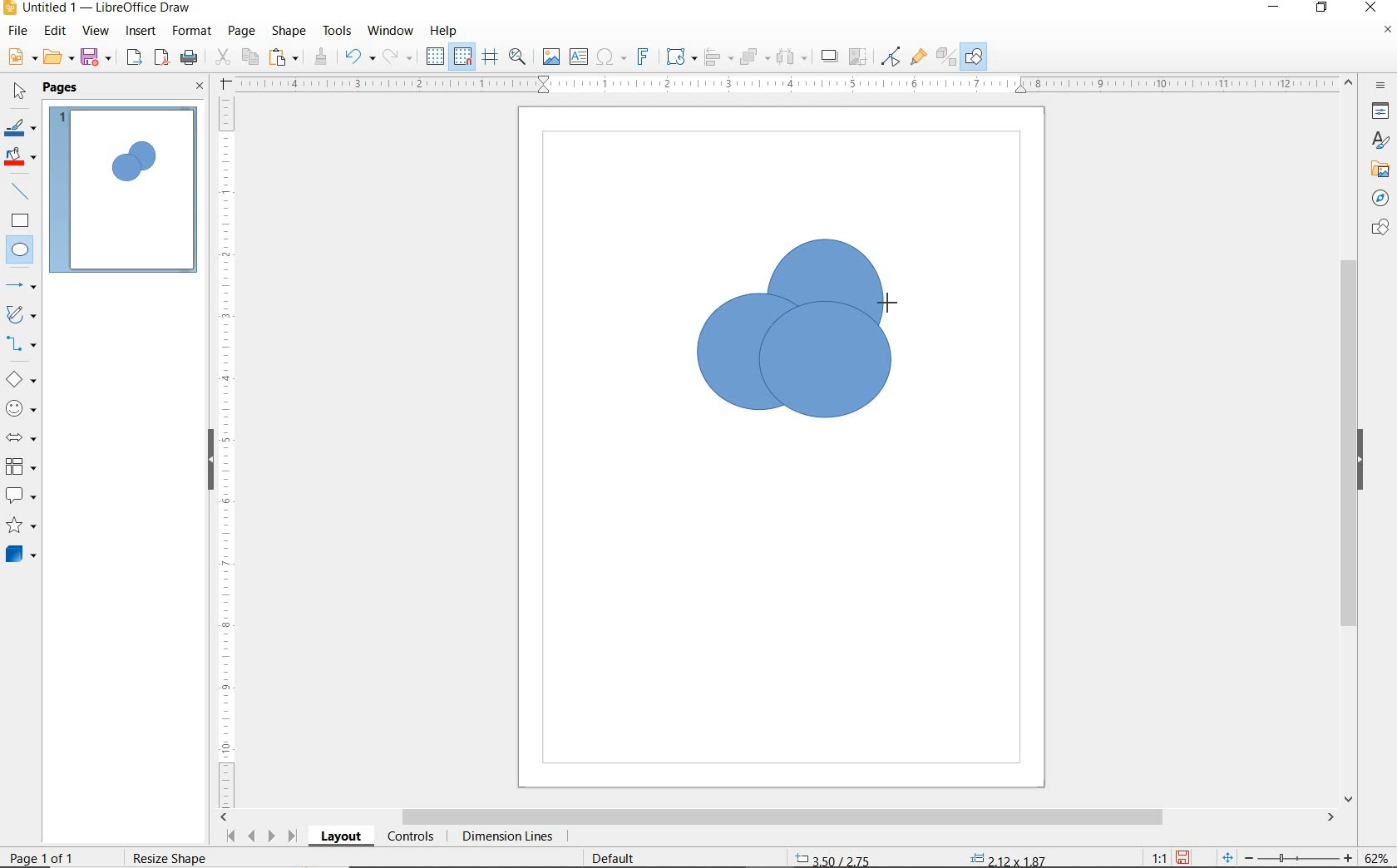 Image resolution: width=1397 pixels, height=868 pixels. I want to click on REDO, so click(398, 57).